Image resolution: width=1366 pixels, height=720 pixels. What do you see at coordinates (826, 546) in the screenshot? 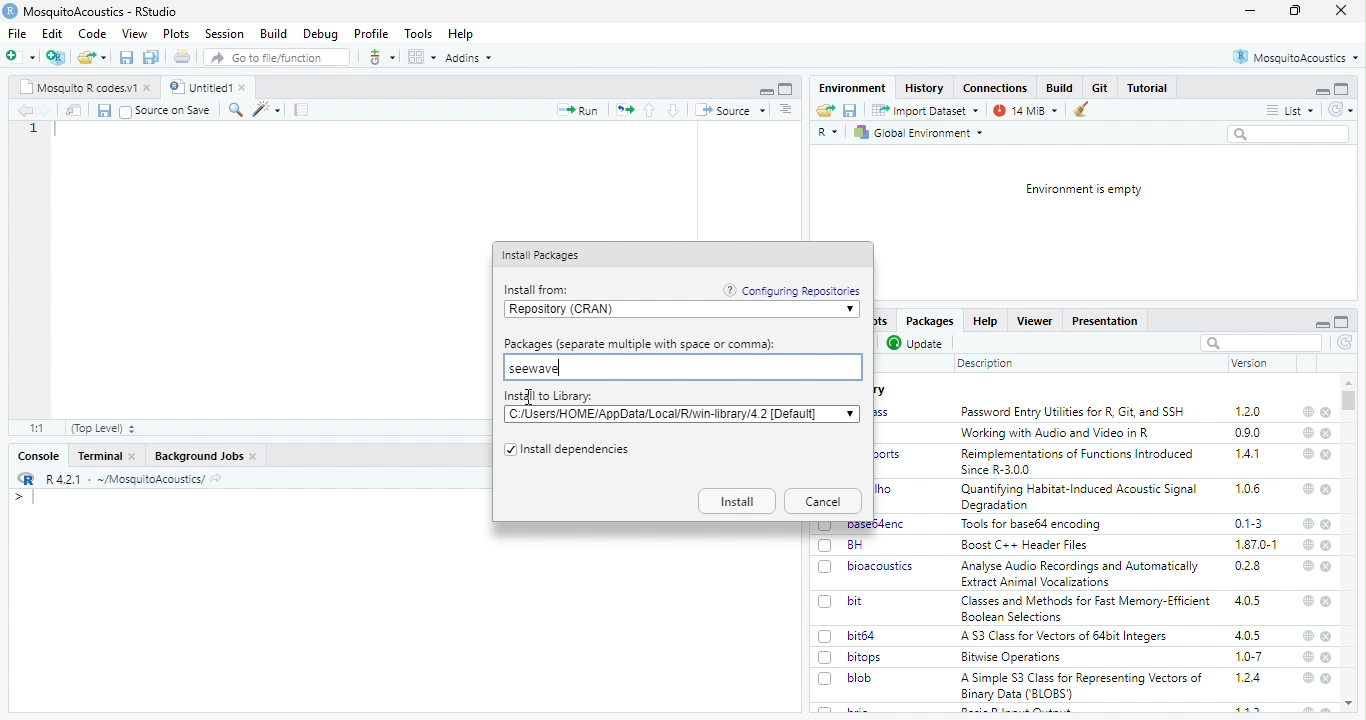
I see `checkbox` at bounding box center [826, 546].